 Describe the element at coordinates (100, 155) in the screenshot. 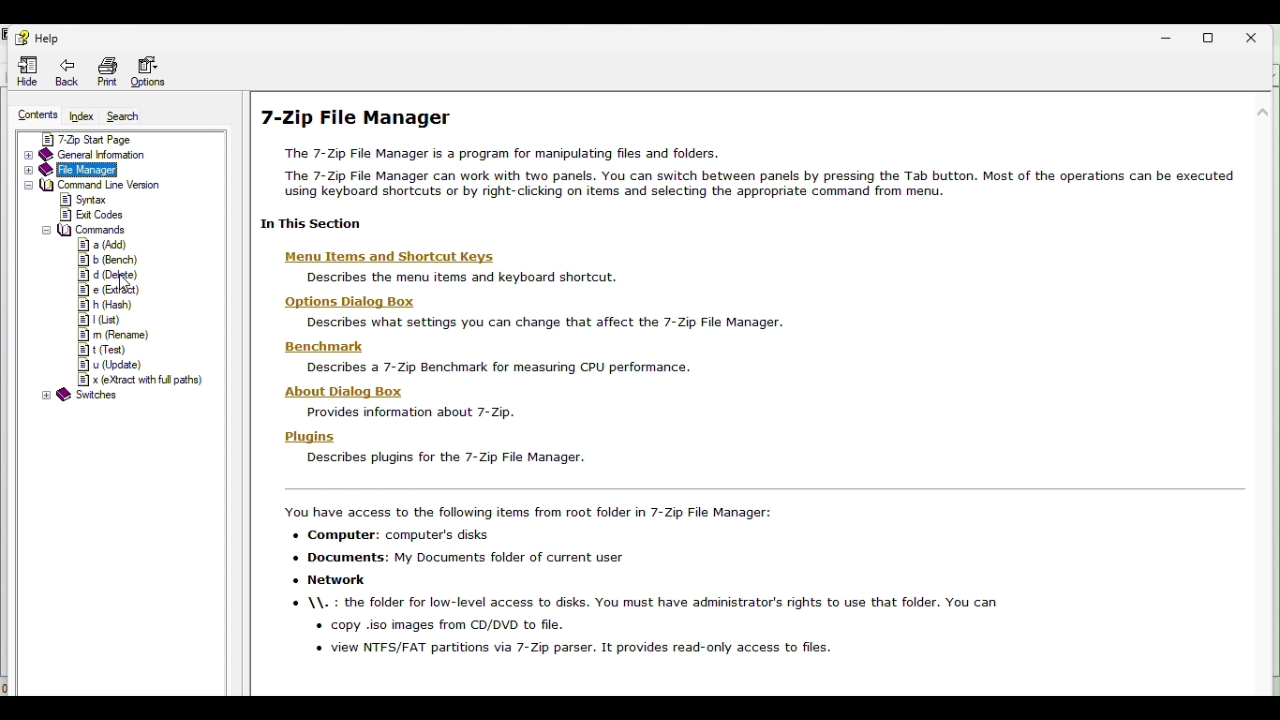

I see `General information` at that location.